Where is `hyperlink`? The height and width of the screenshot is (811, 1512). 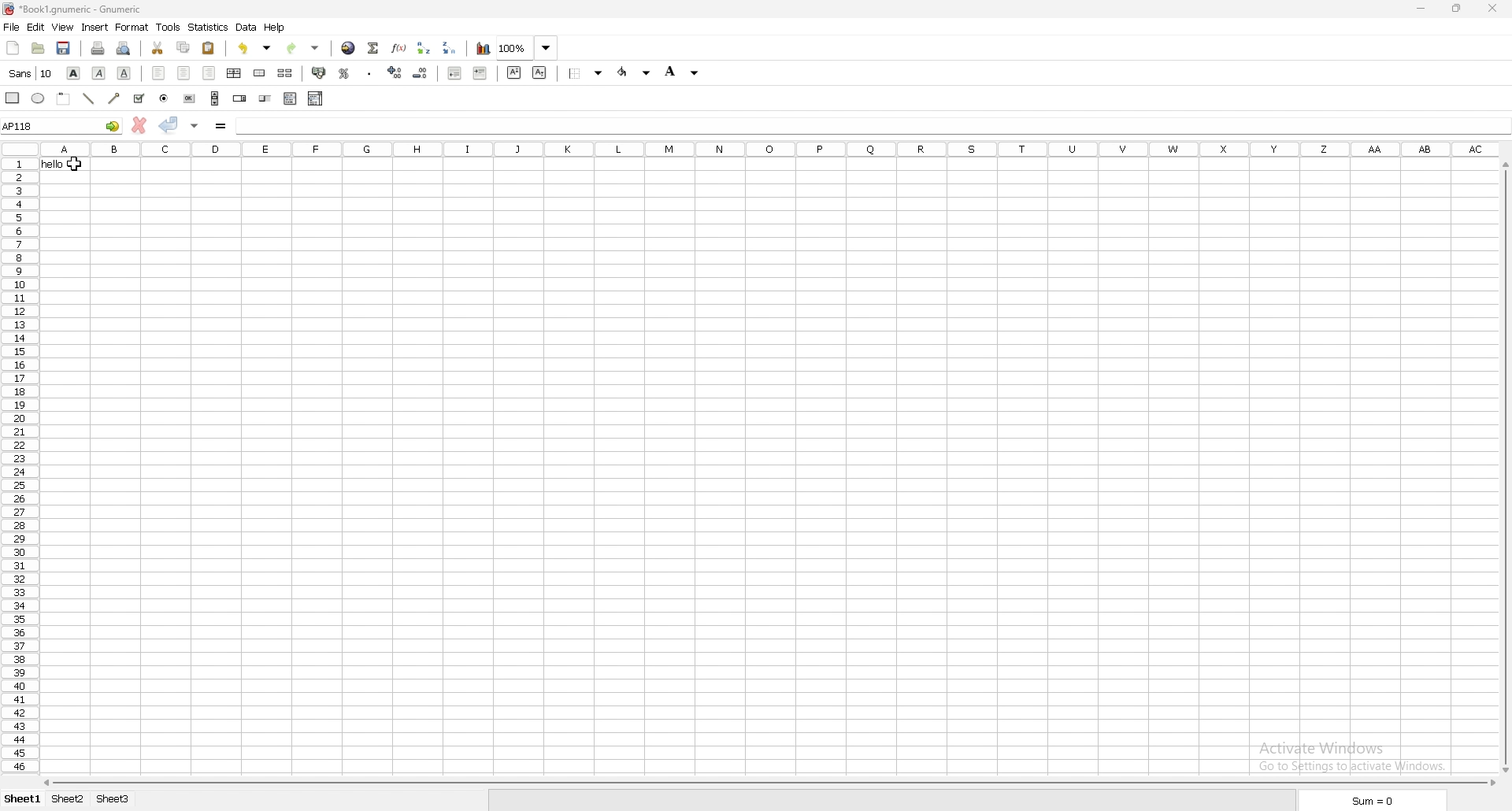
hyperlink is located at coordinates (350, 48).